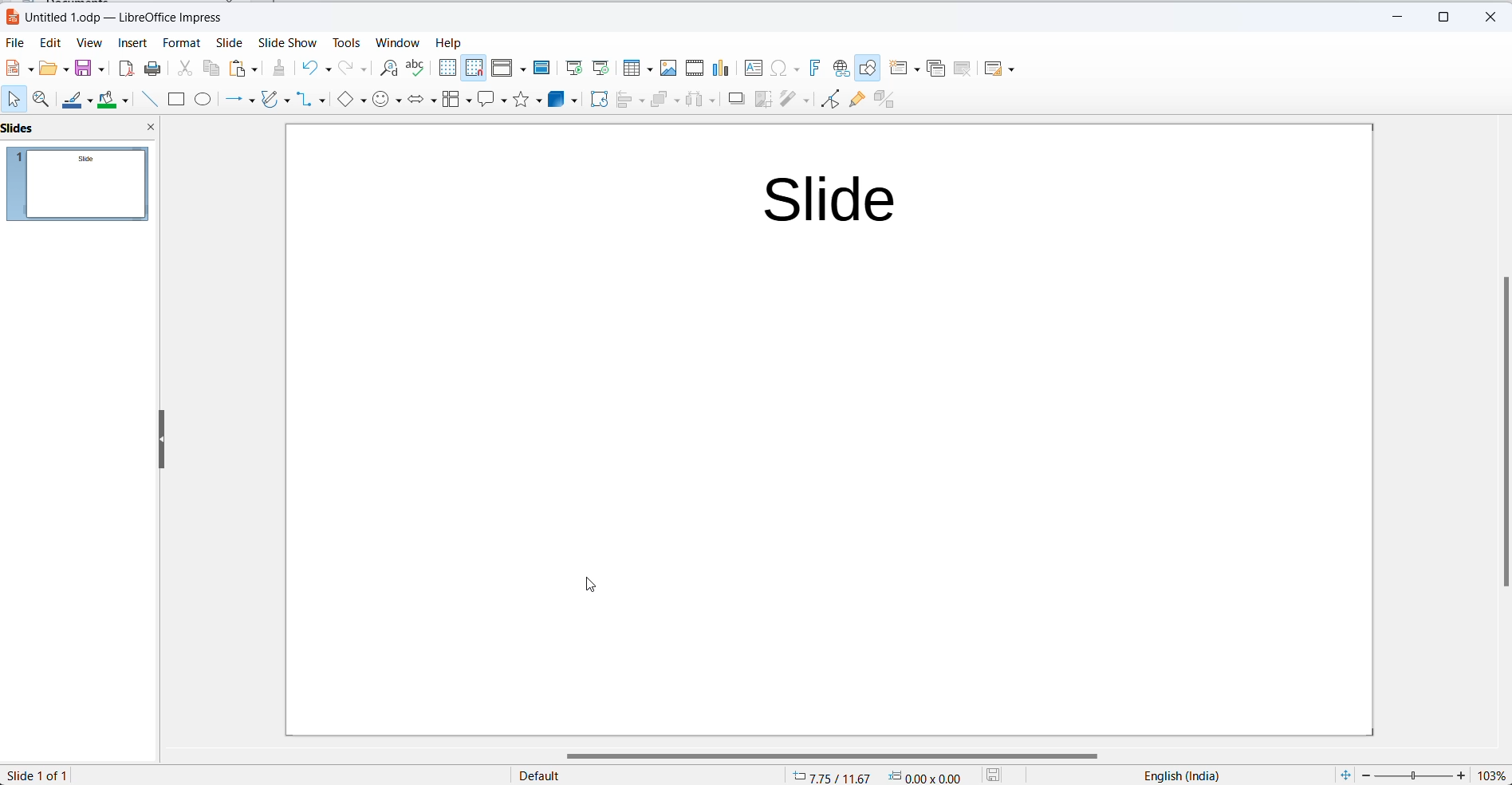  I want to click on line colour, so click(77, 101).